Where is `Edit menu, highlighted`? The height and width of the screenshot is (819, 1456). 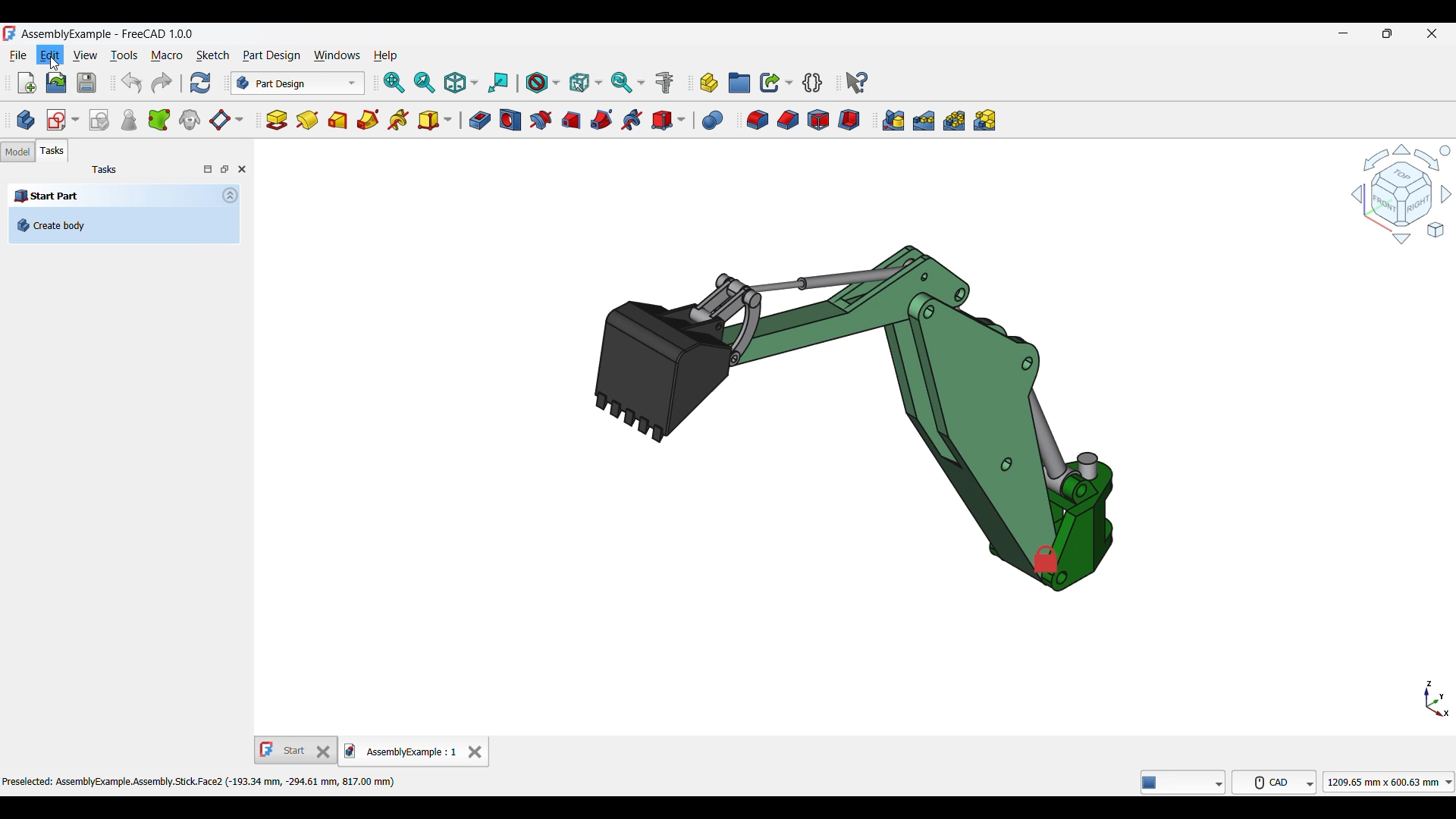 Edit menu, highlighted is located at coordinates (50, 52).